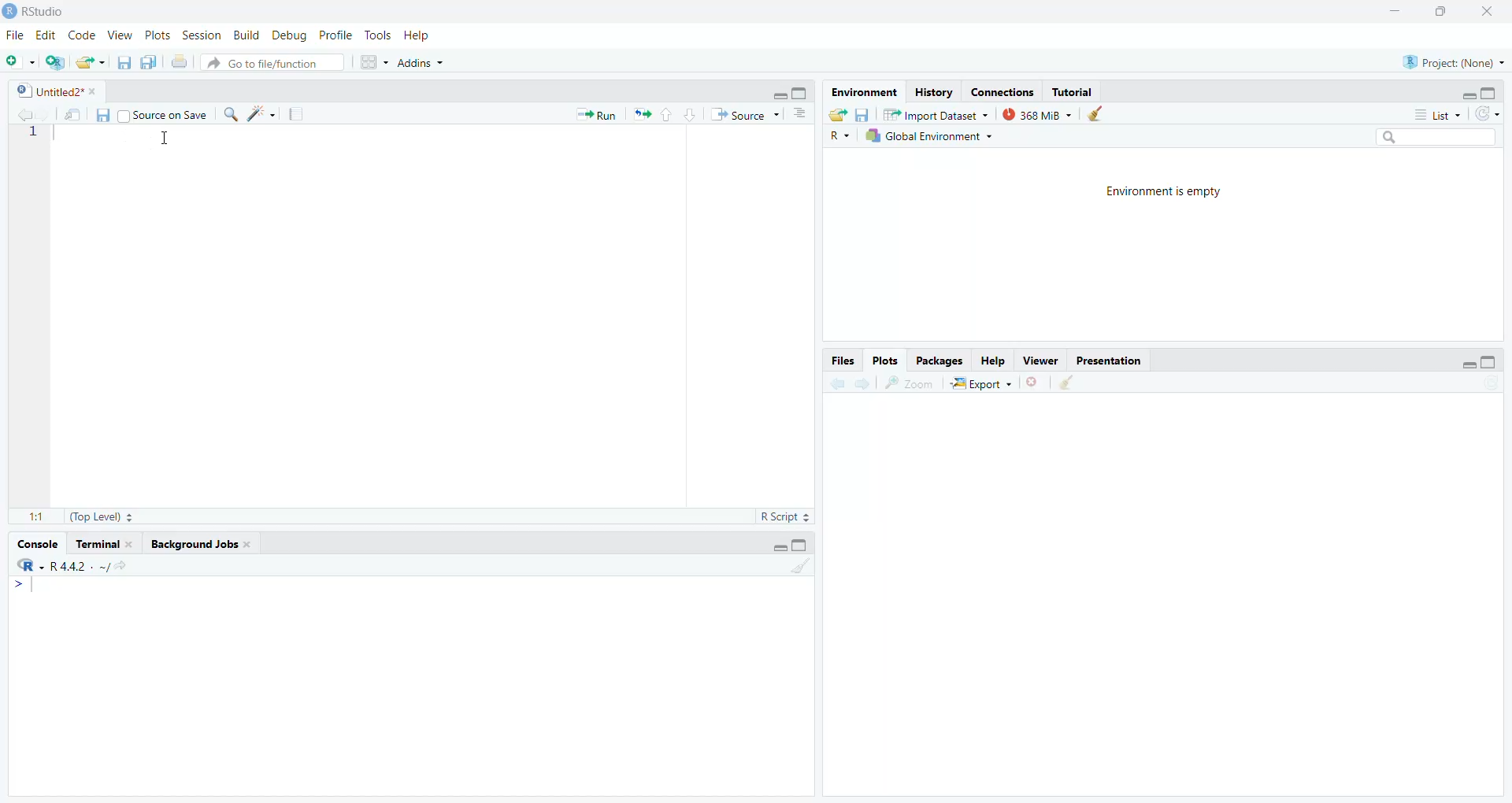  I want to click on Presentation, so click(1112, 362).